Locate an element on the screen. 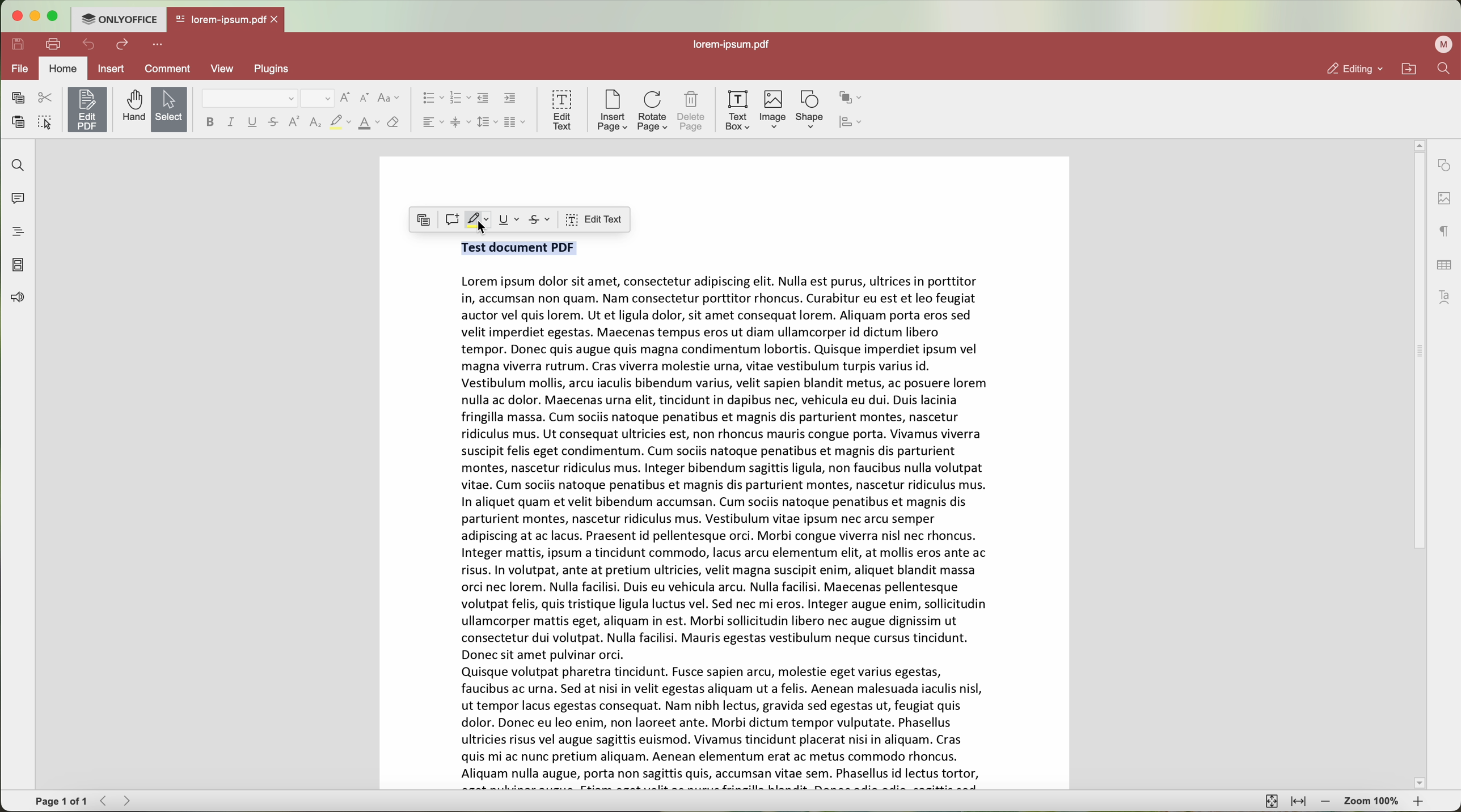  find is located at coordinates (16, 163).